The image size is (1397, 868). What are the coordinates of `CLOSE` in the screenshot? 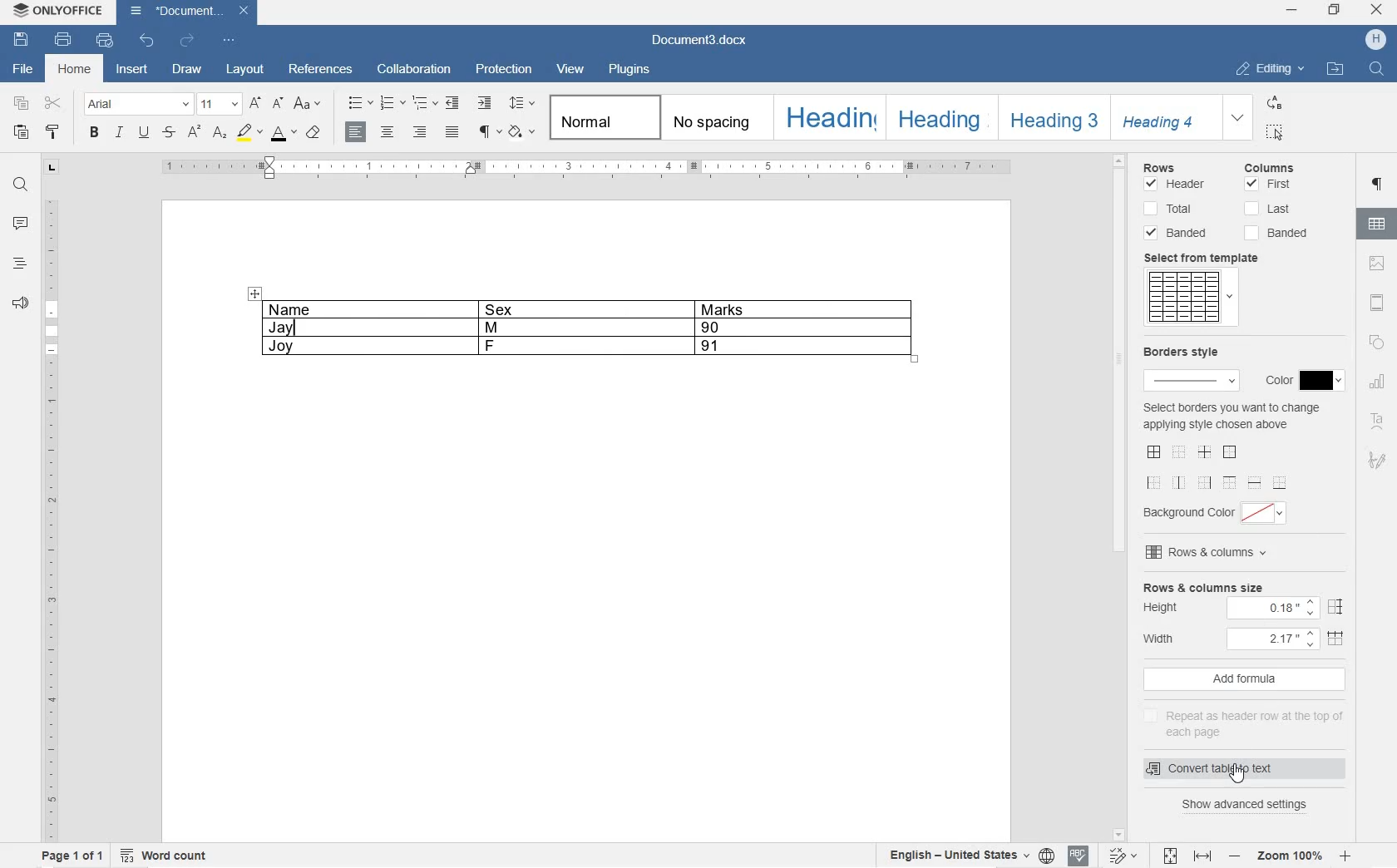 It's located at (1377, 9).